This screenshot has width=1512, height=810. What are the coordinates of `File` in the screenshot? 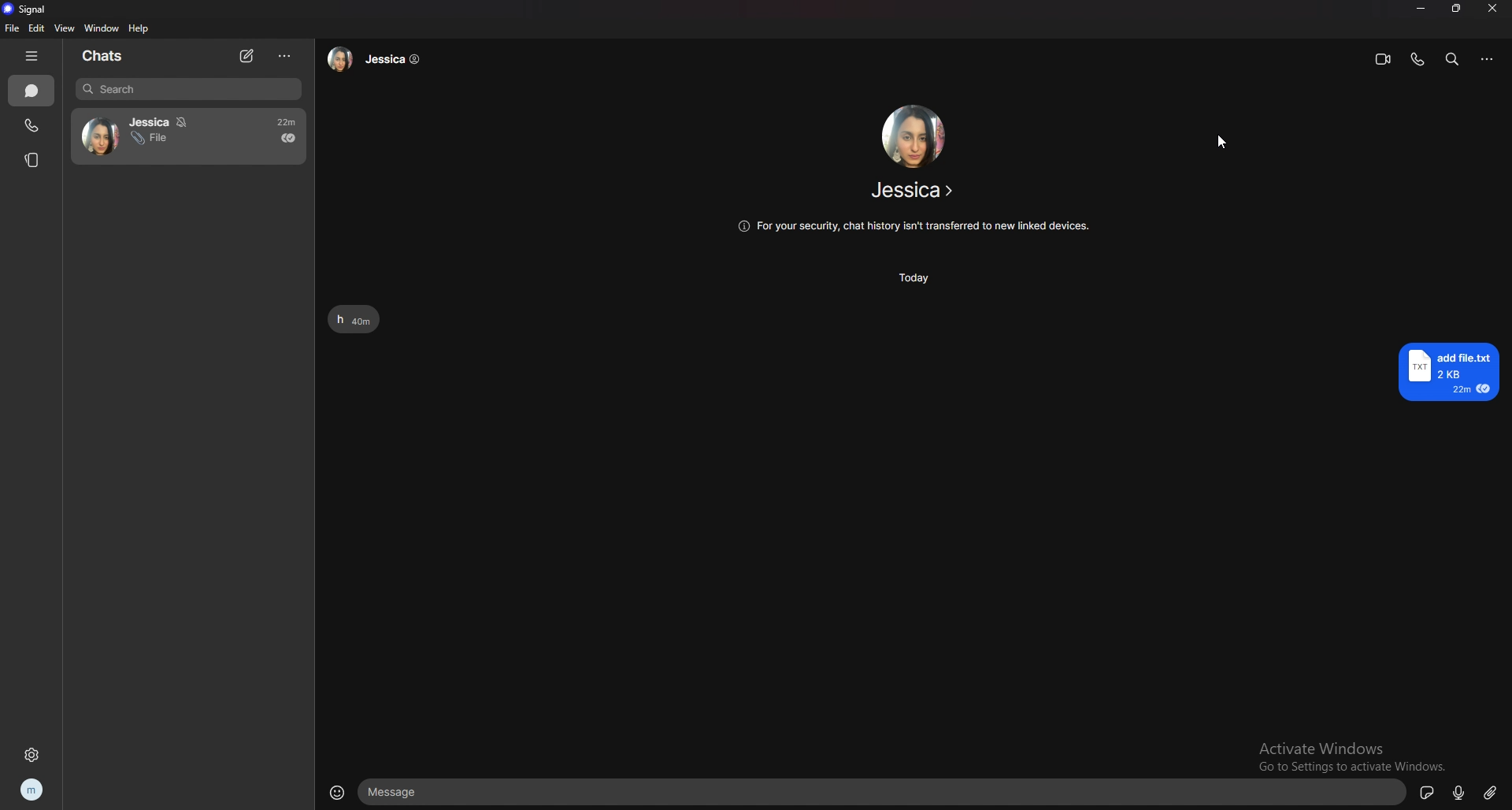 It's located at (149, 140).